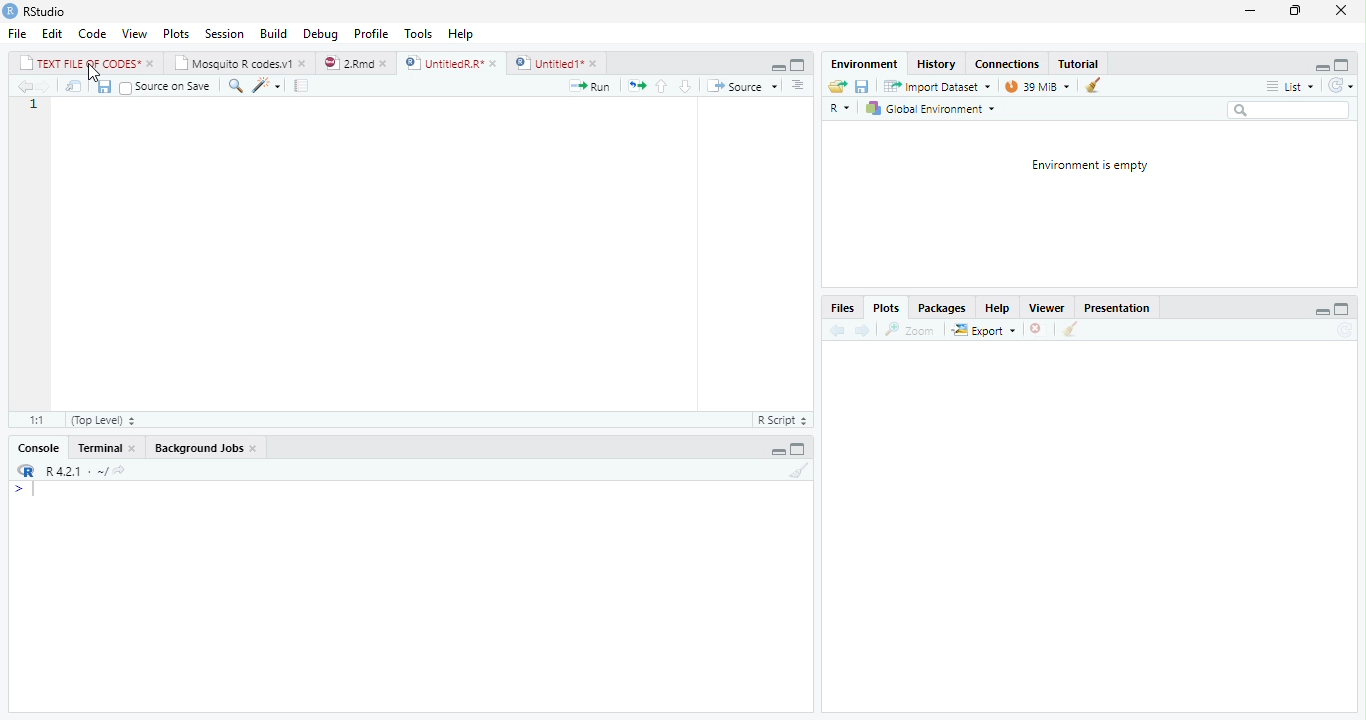  What do you see at coordinates (1322, 309) in the screenshot?
I see `Minimize` at bounding box center [1322, 309].